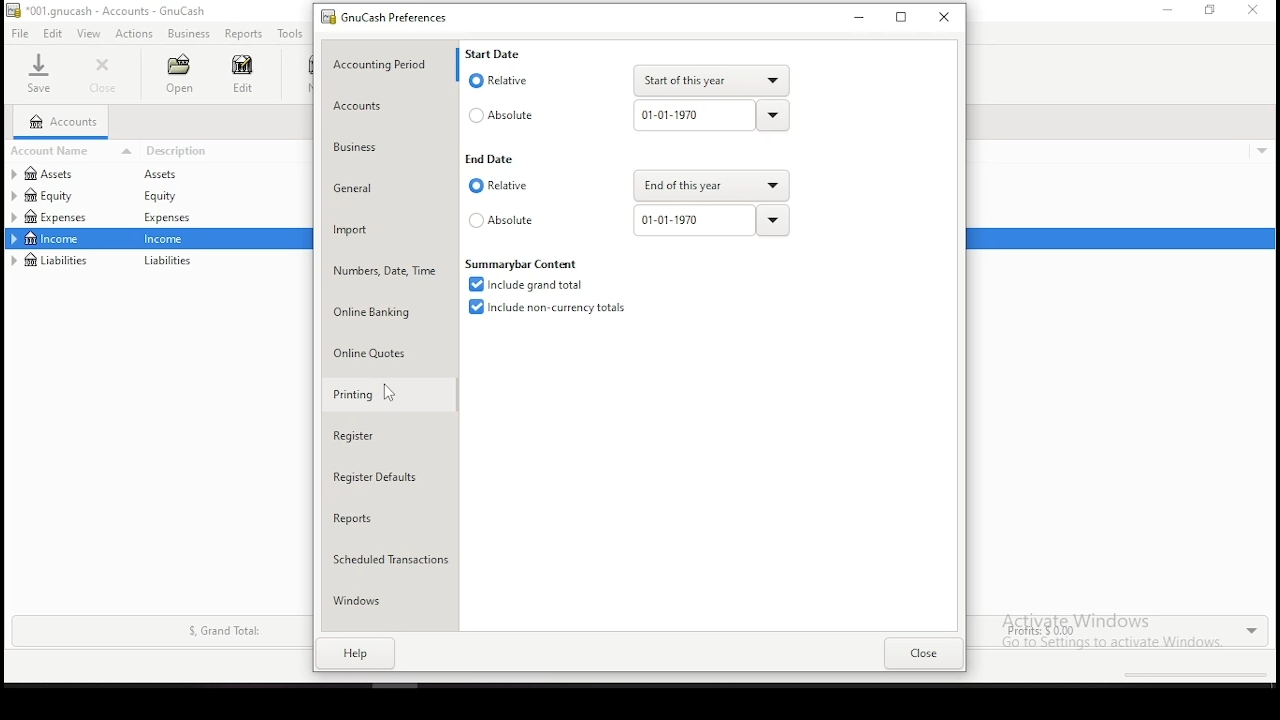 Image resolution: width=1280 pixels, height=720 pixels. I want to click on minimize, so click(901, 20).